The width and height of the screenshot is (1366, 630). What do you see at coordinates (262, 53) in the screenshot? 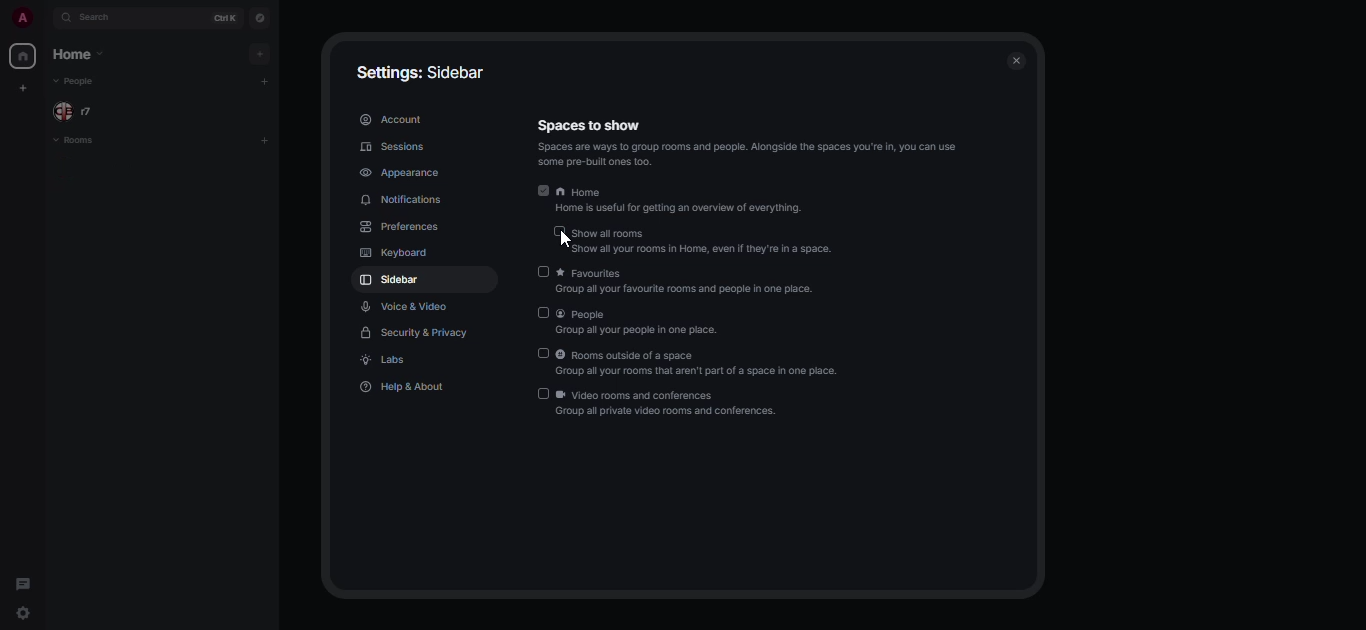
I see `add` at bounding box center [262, 53].